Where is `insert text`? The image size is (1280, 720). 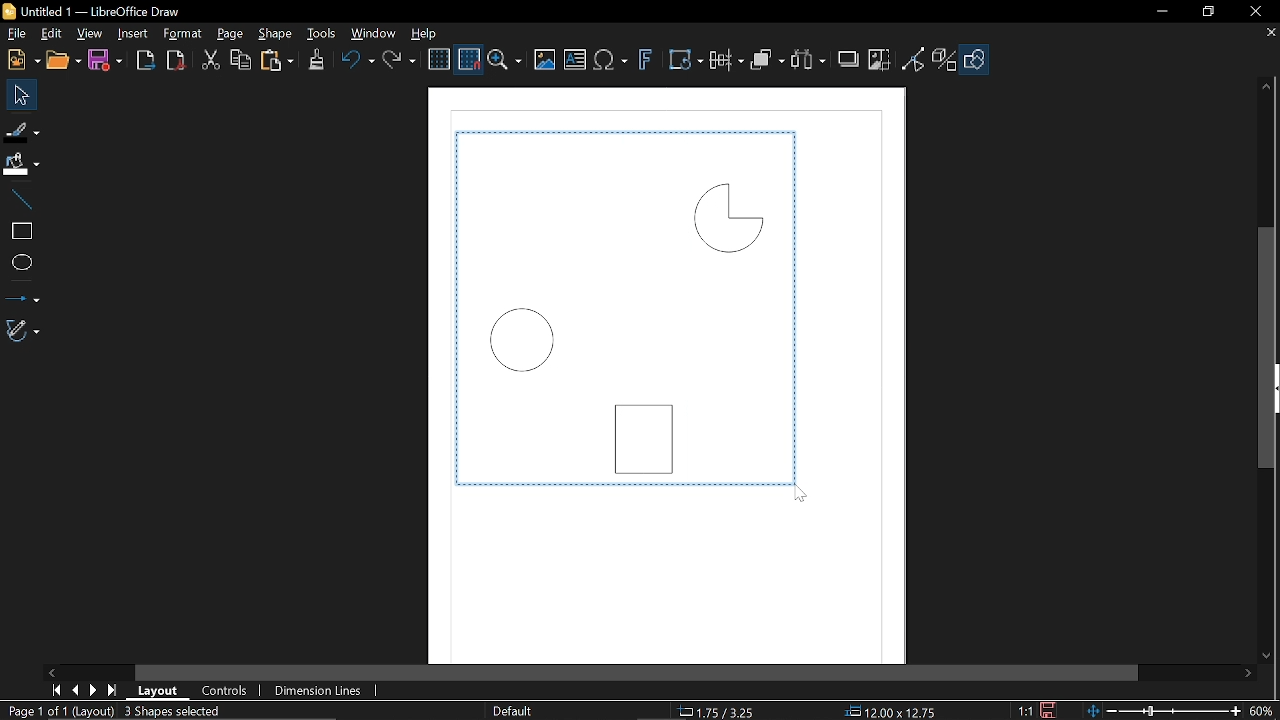 insert text is located at coordinates (575, 59).